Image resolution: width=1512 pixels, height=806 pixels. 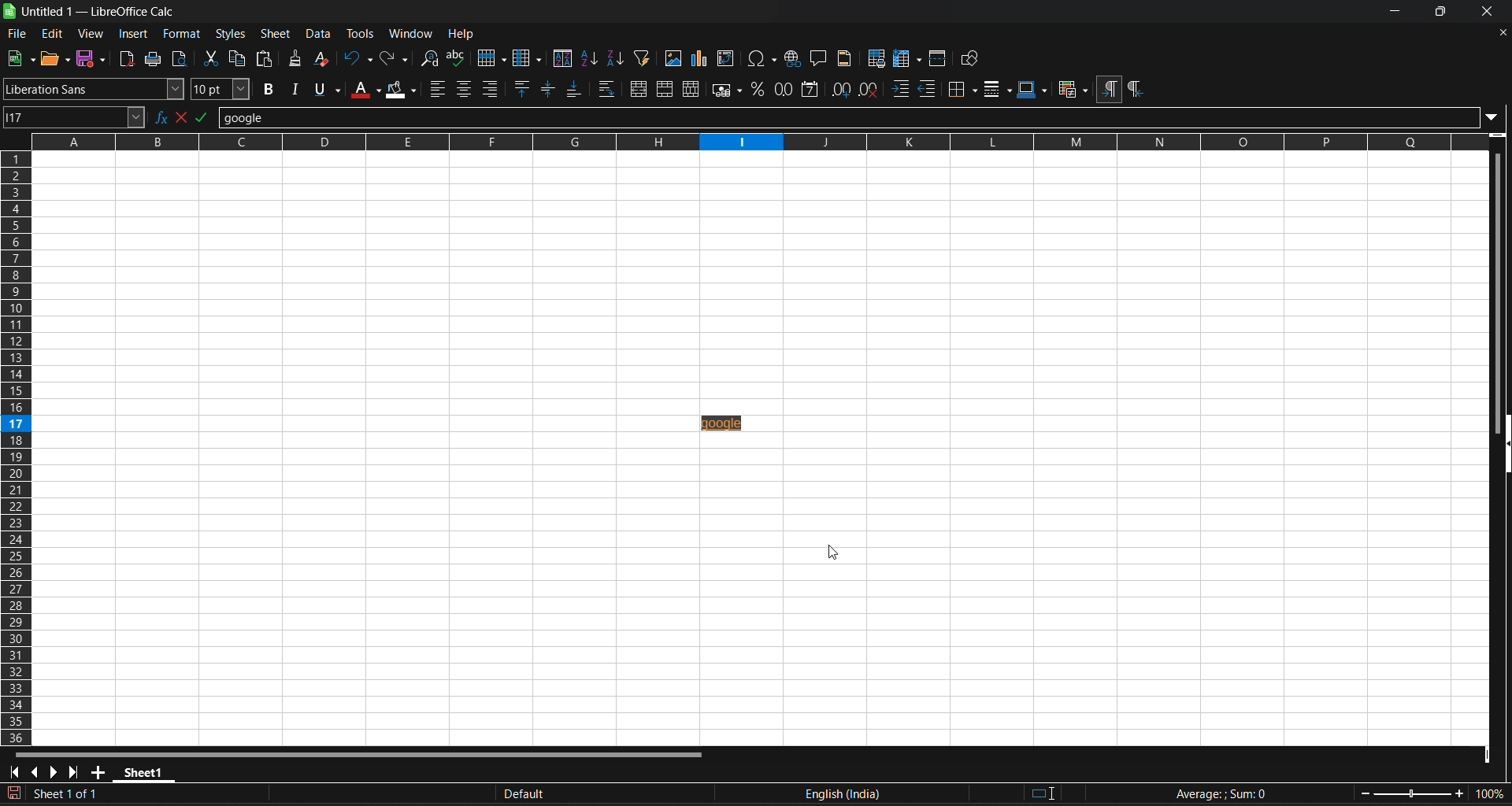 What do you see at coordinates (876, 57) in the screenshot?
I see `define print area` at bounding box center [876, 57].